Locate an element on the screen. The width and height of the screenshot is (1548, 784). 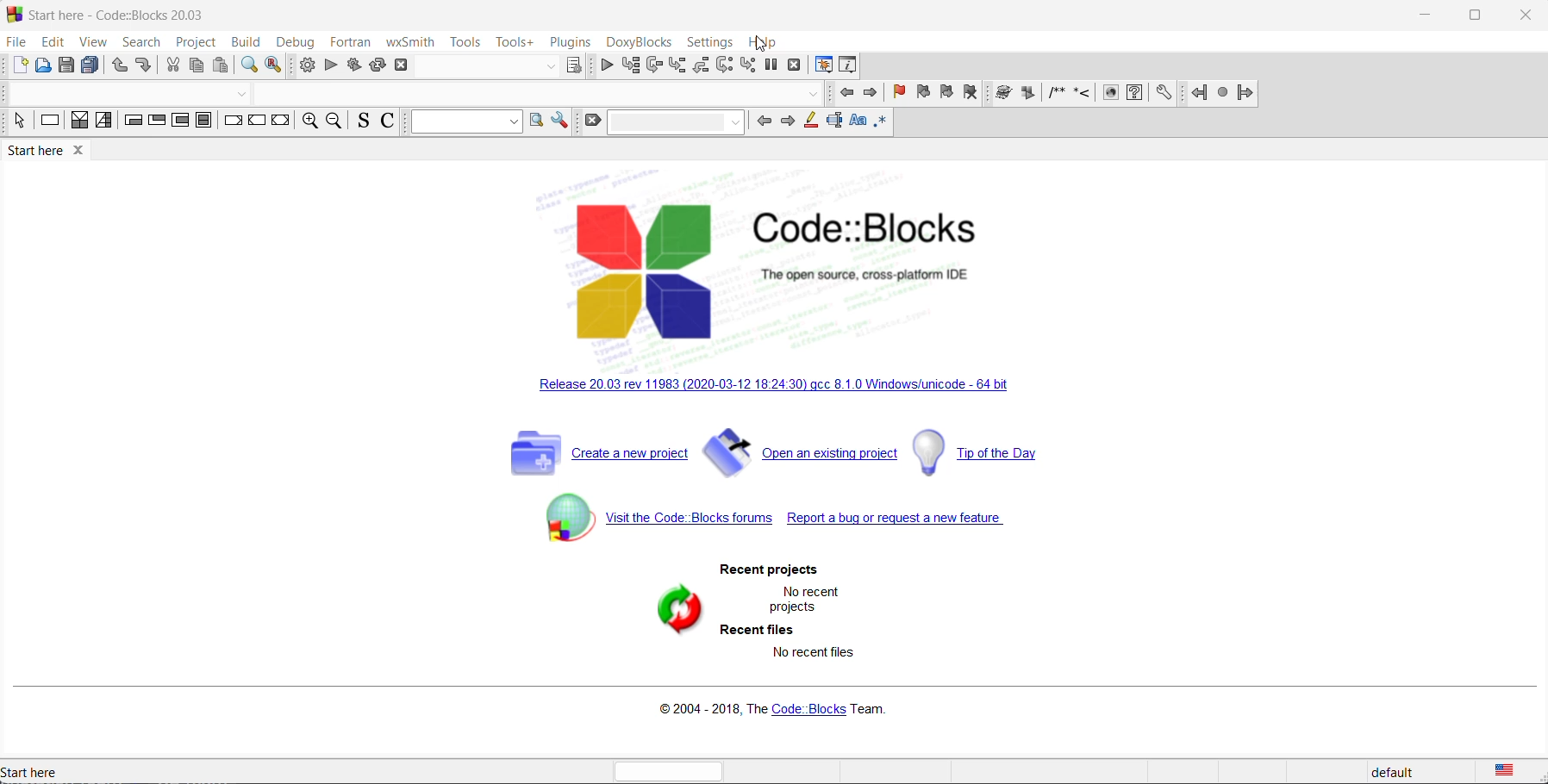
recent files is located at coordinates (754, 630).